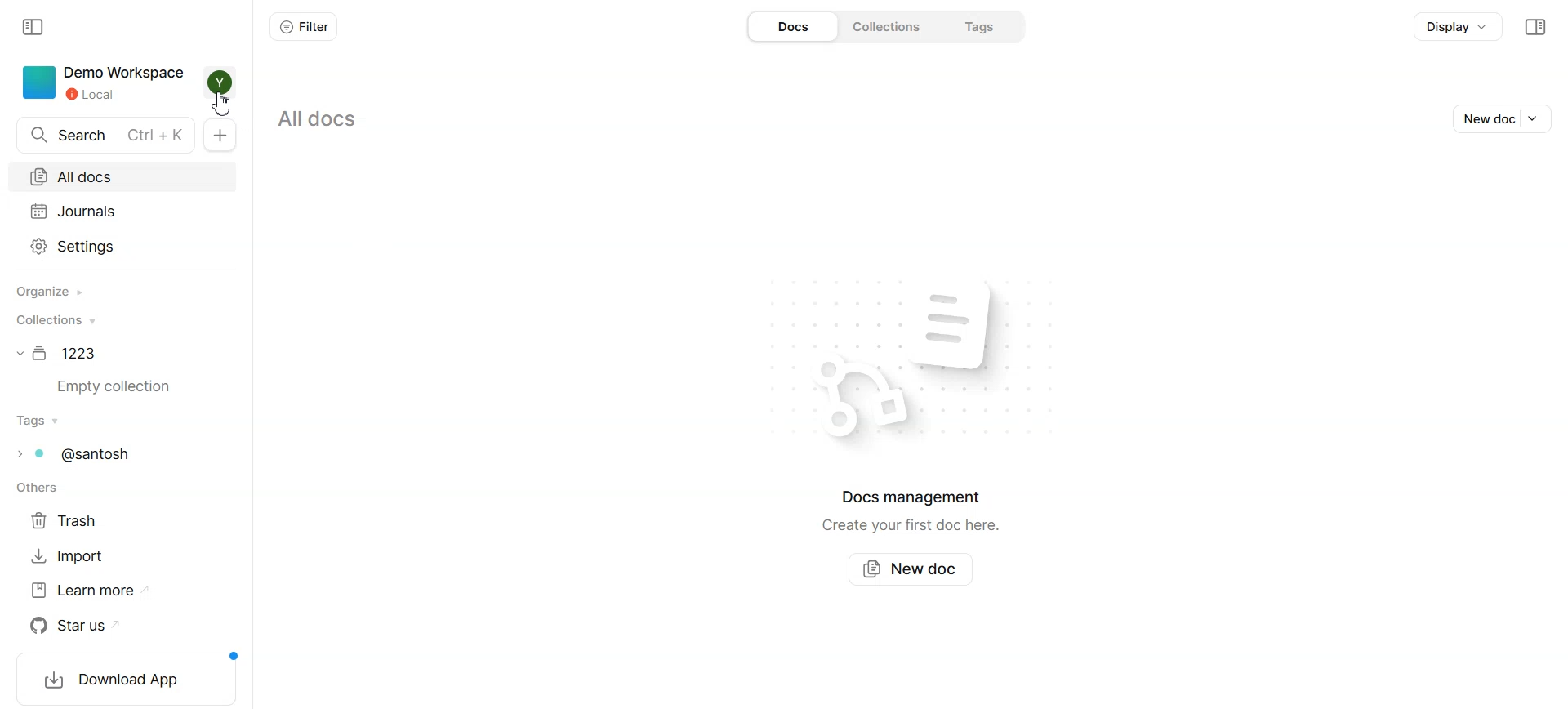  Describe the element at coordinates (73, 519) in the screenshot. I see `Trash` at that location.